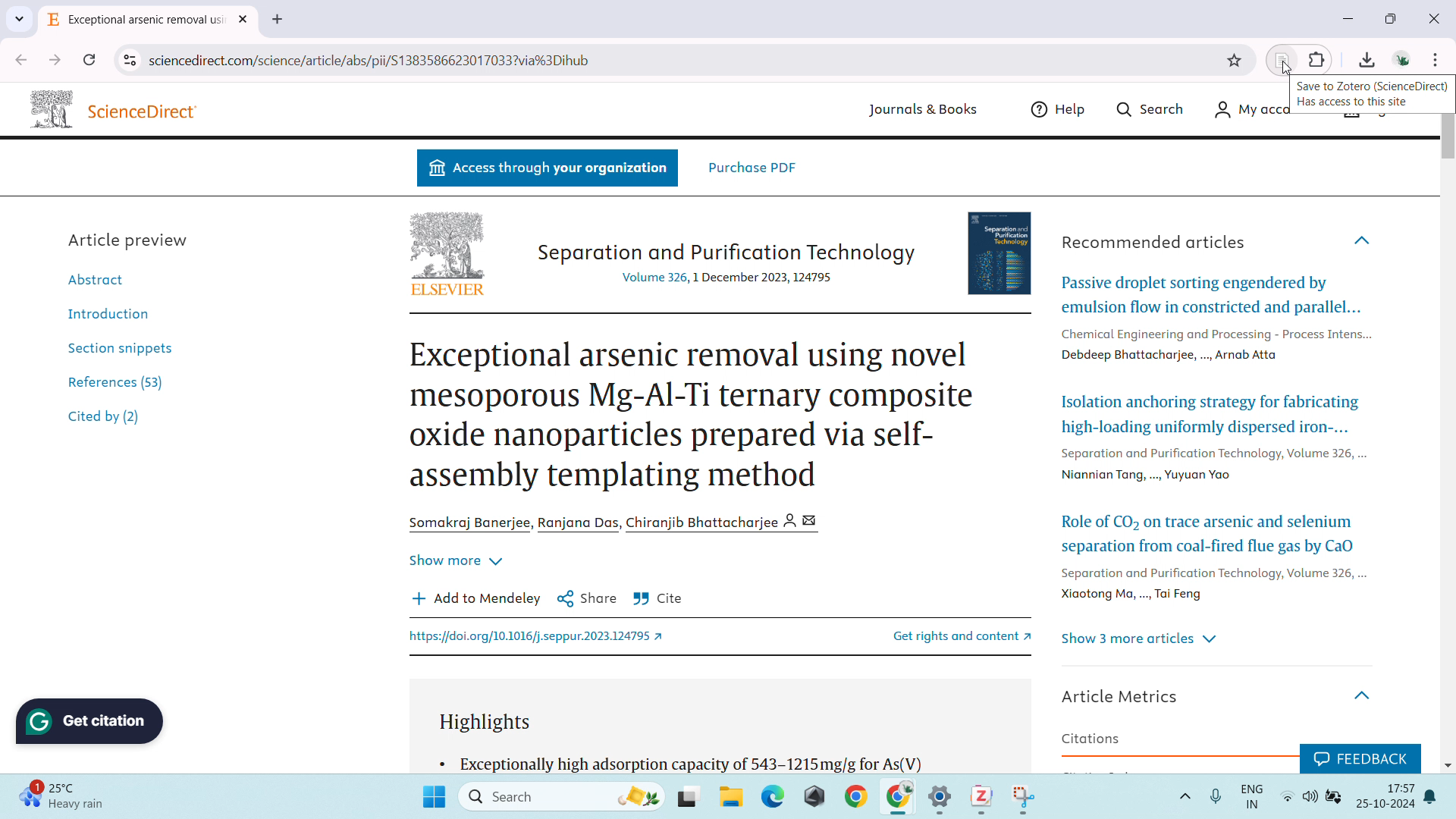 The height and width of the screenshot is (819, 1456). What do you see at coordinates (1152, 108) in the screenshot?
I see `Search` at bounding box center [1152, 108].